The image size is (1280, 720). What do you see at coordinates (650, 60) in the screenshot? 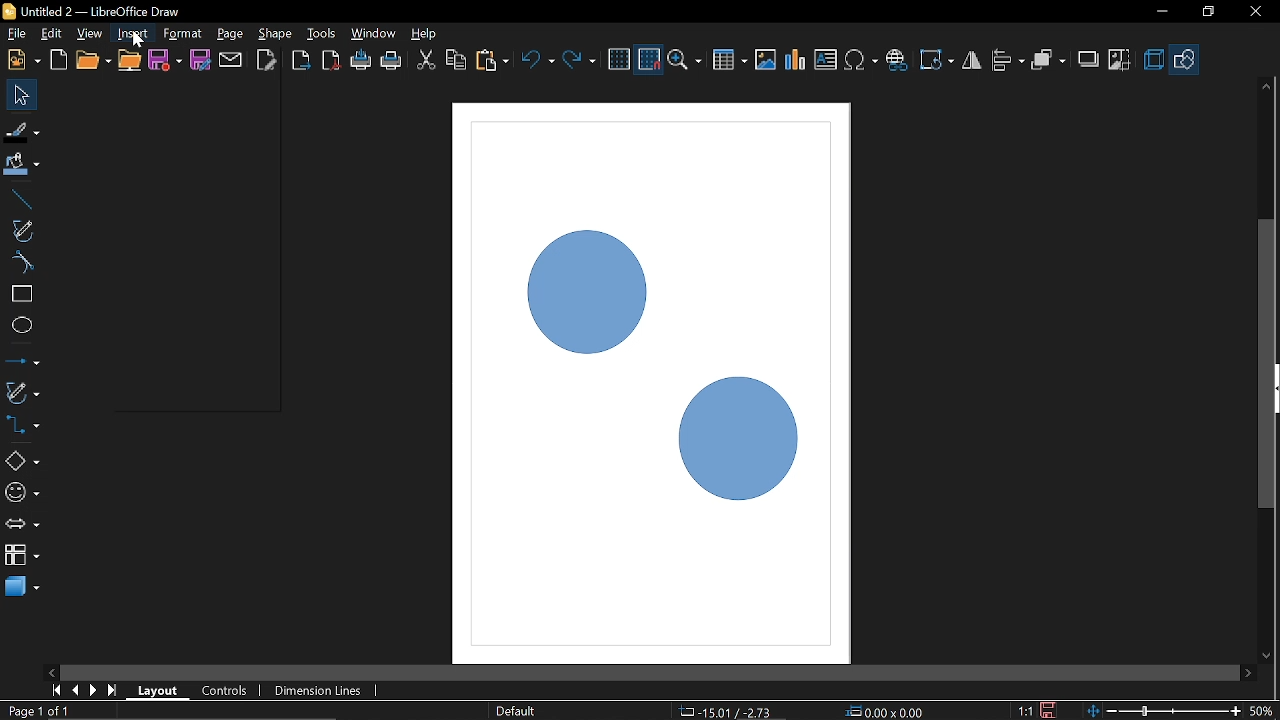
I see `snap to grid` at bounding box center [650, 60].